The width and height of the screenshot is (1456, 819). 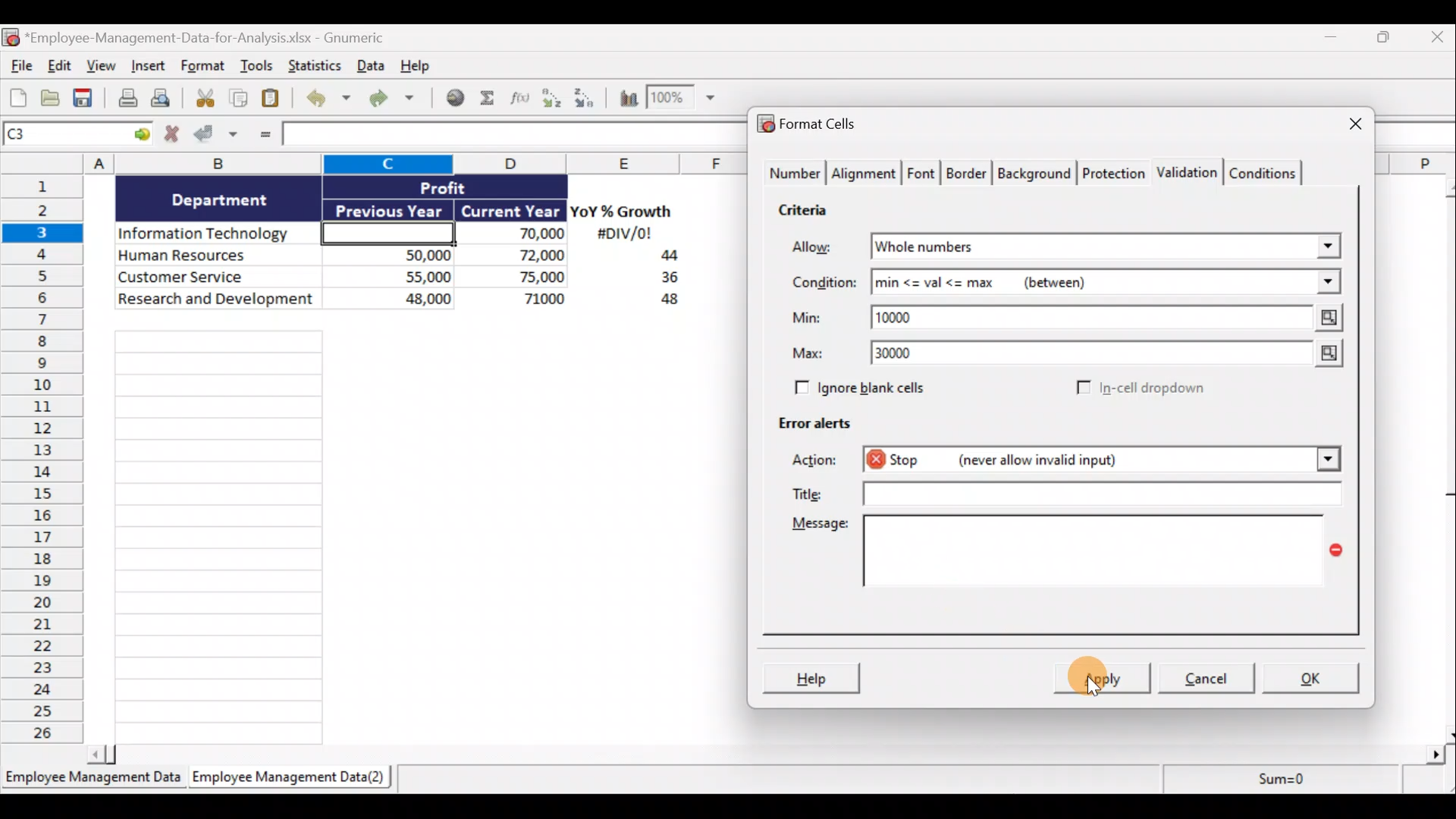 I want to click on 44, so click(x=661, y=257).